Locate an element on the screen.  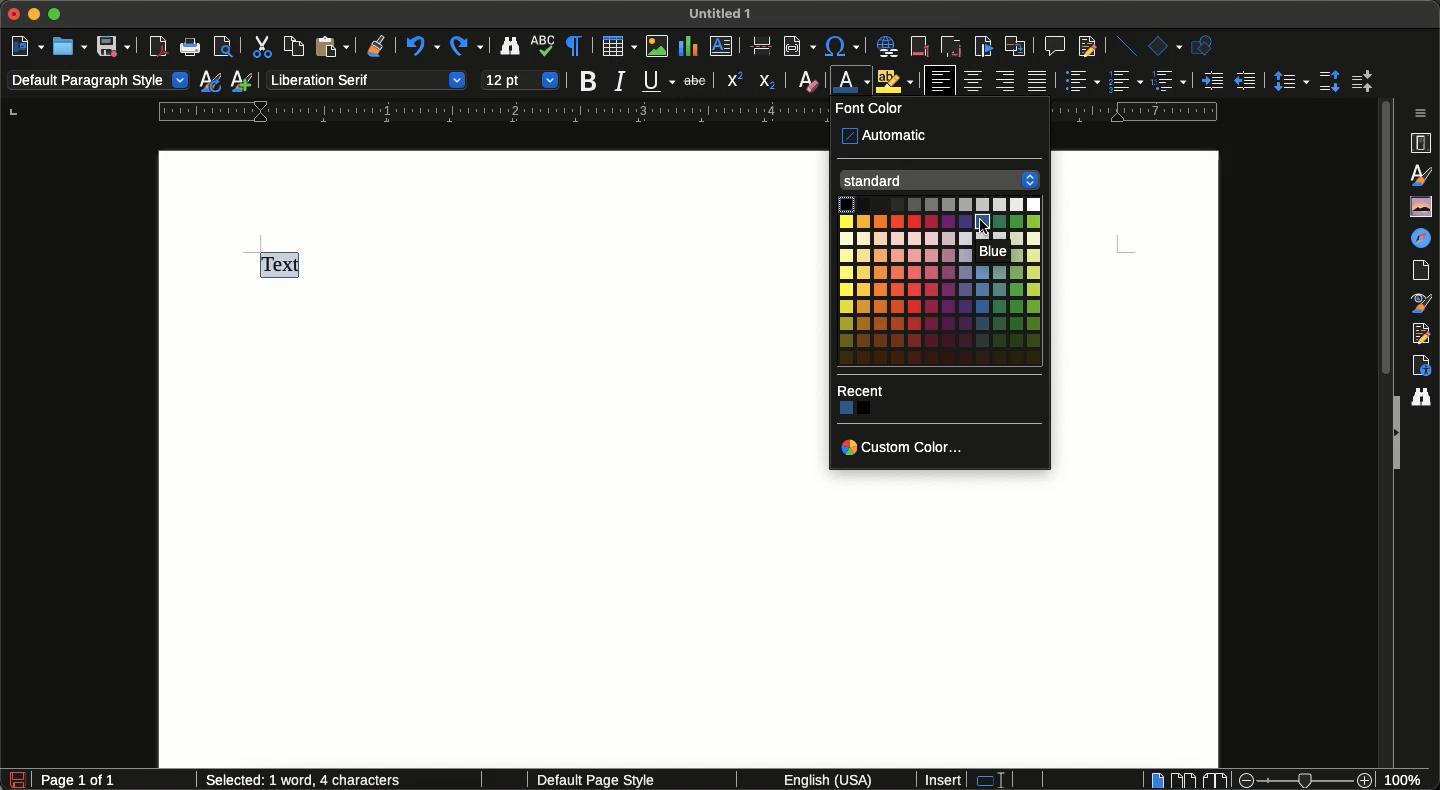
Styles is located at coordinates (1423, 175).